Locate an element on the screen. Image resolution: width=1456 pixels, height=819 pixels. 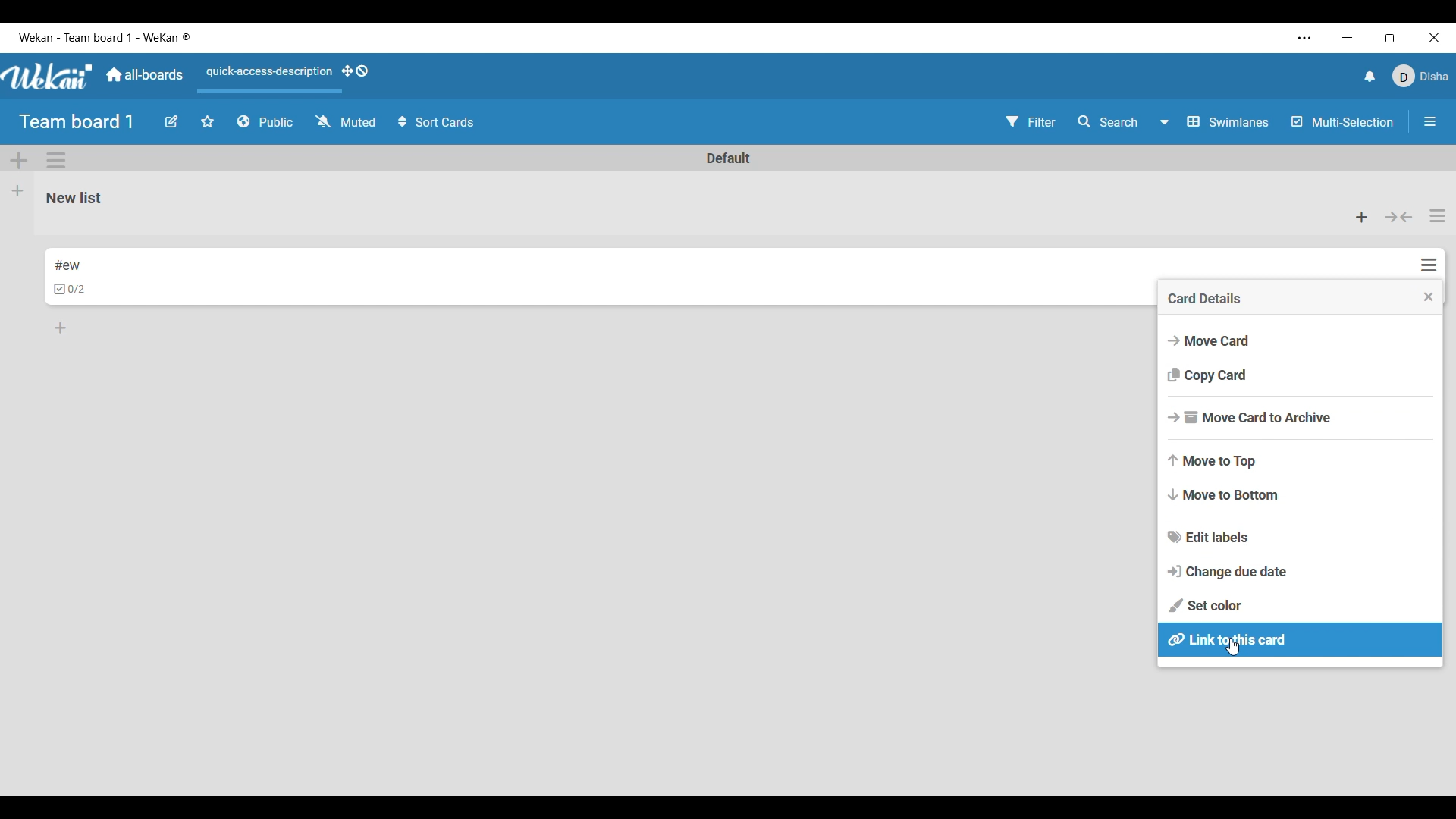
Search is located at coordinates (1108, 122).